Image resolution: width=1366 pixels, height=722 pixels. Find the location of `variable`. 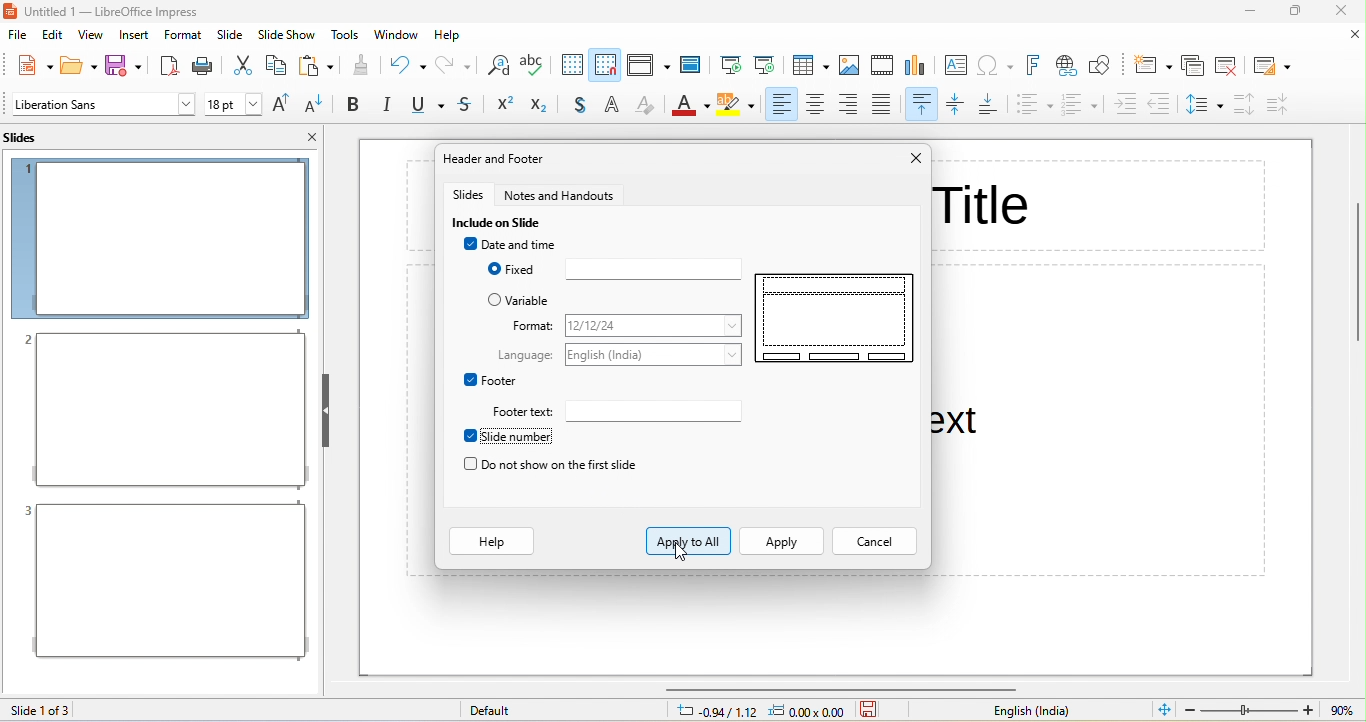

variable is located at coordinates (536, 301).